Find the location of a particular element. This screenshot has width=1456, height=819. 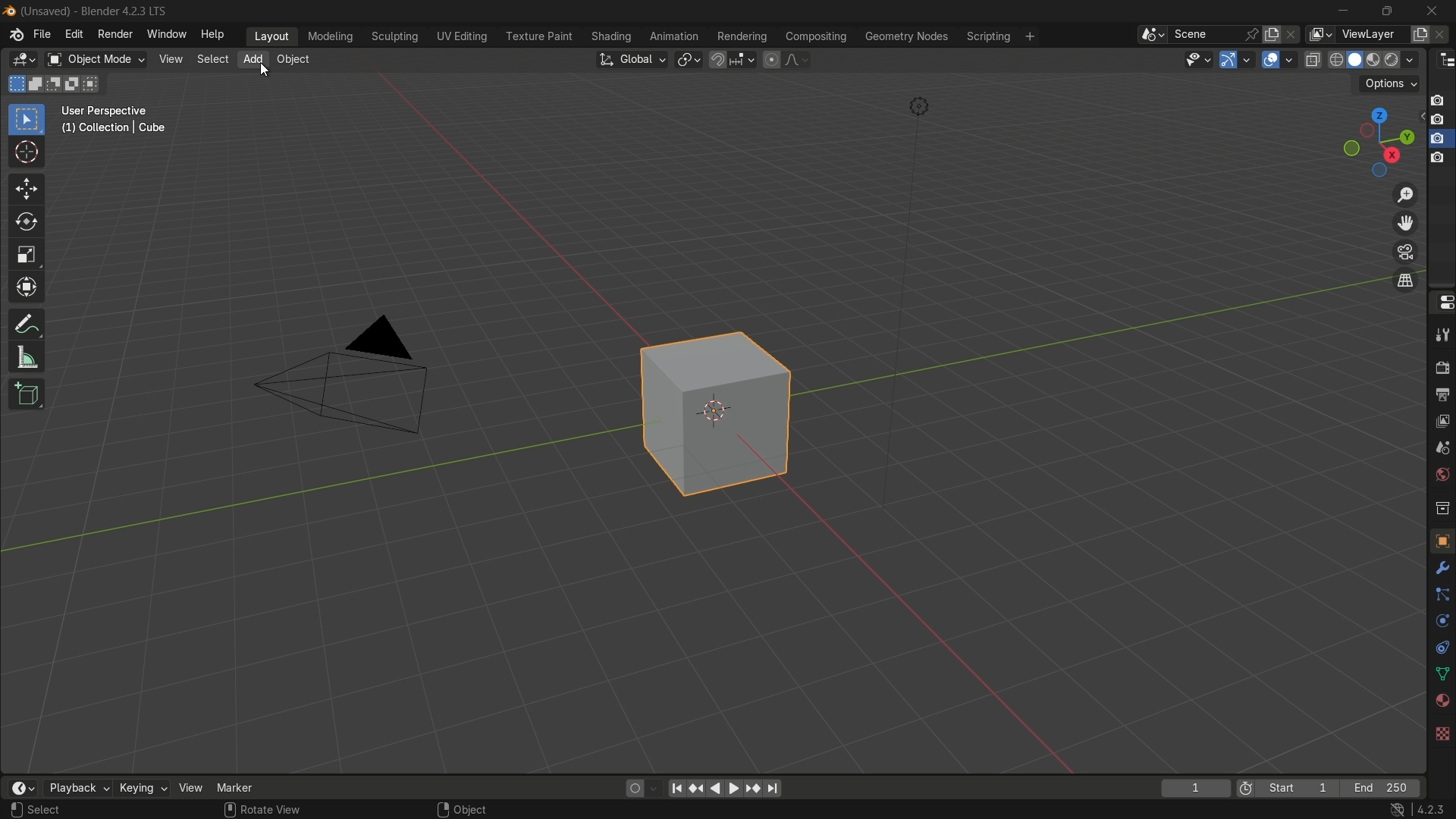

animation is located at coordinates (674, 36).